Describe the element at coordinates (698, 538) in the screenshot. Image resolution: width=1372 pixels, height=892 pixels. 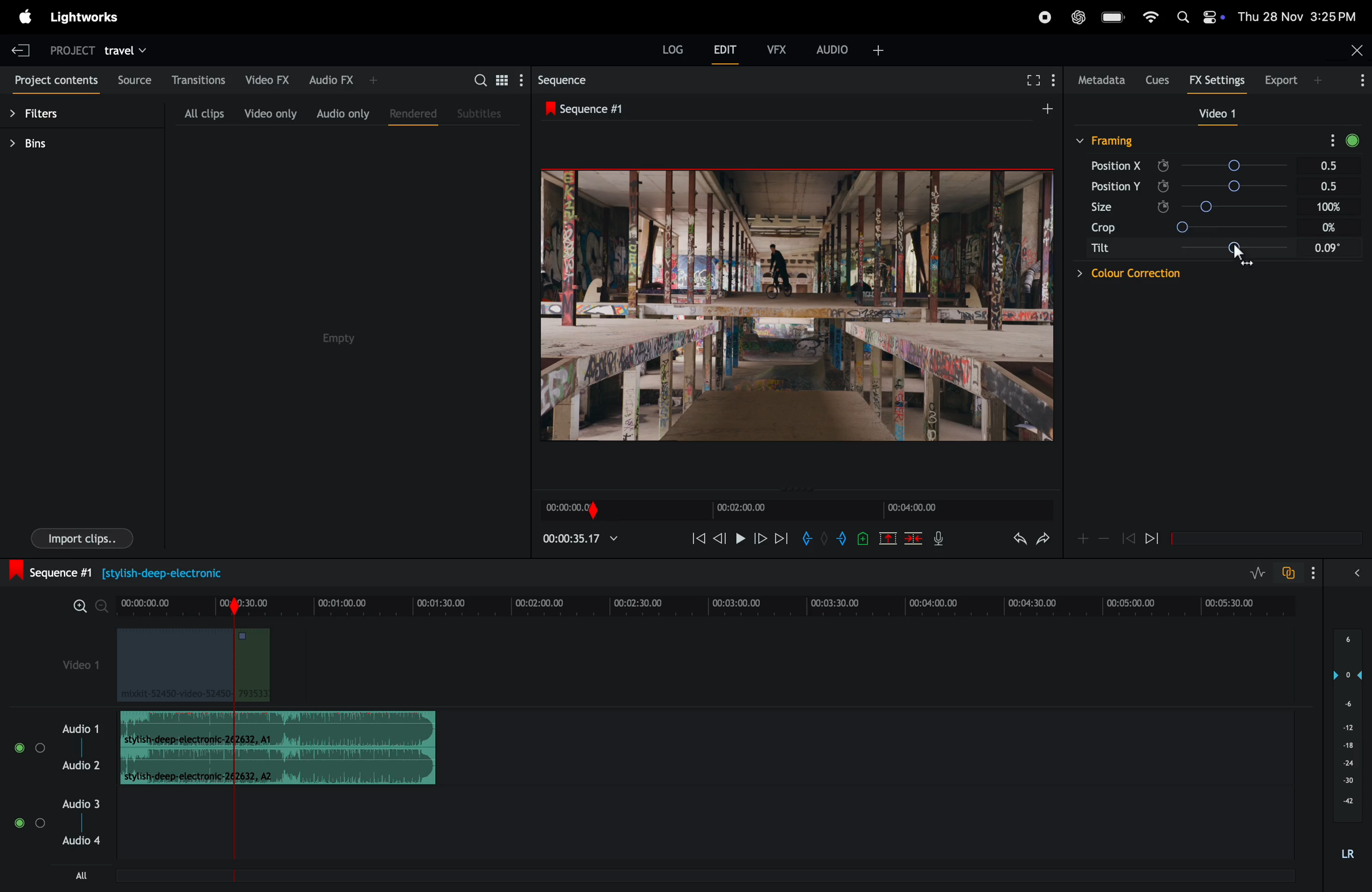
I see `rewind` at that location.